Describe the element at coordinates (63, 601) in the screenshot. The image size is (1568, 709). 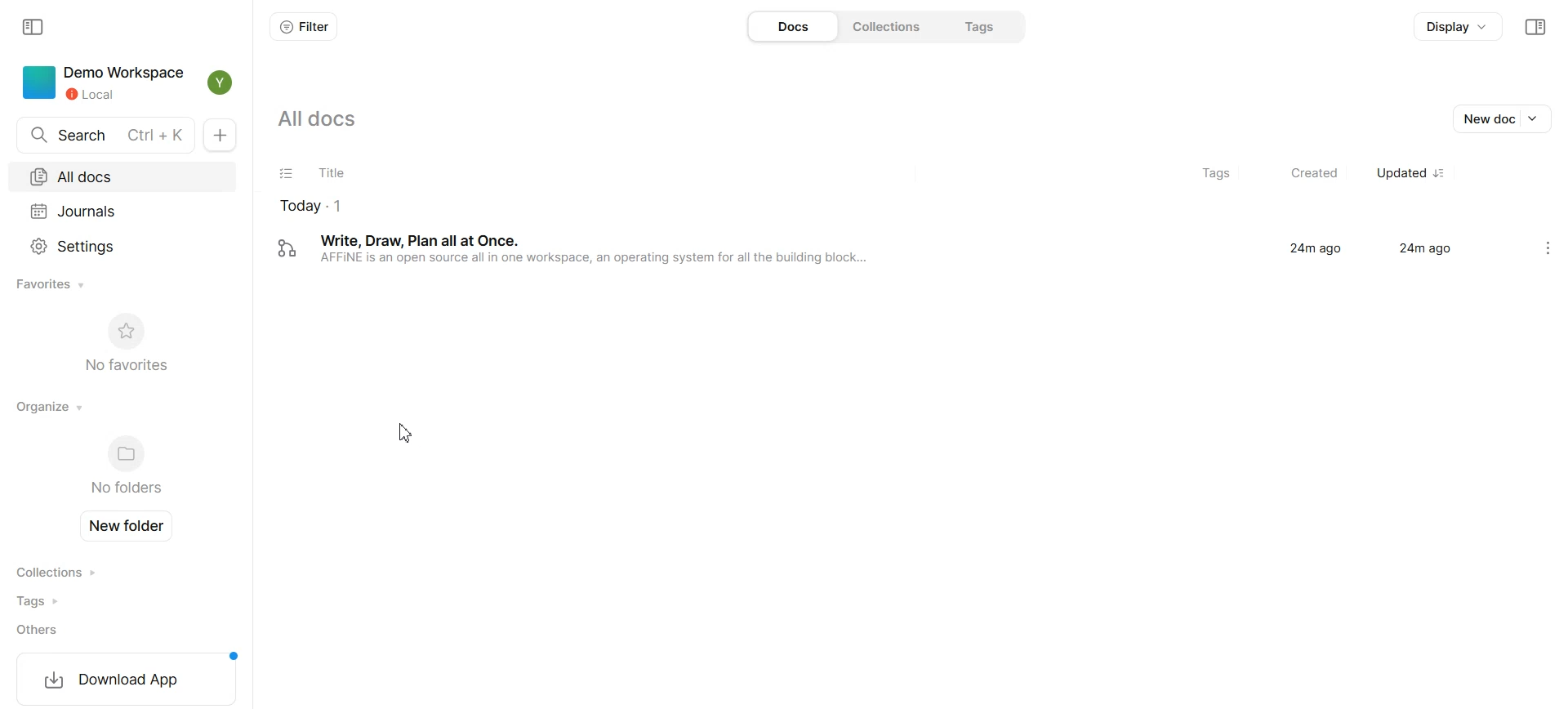
I see `Tags` at that location.